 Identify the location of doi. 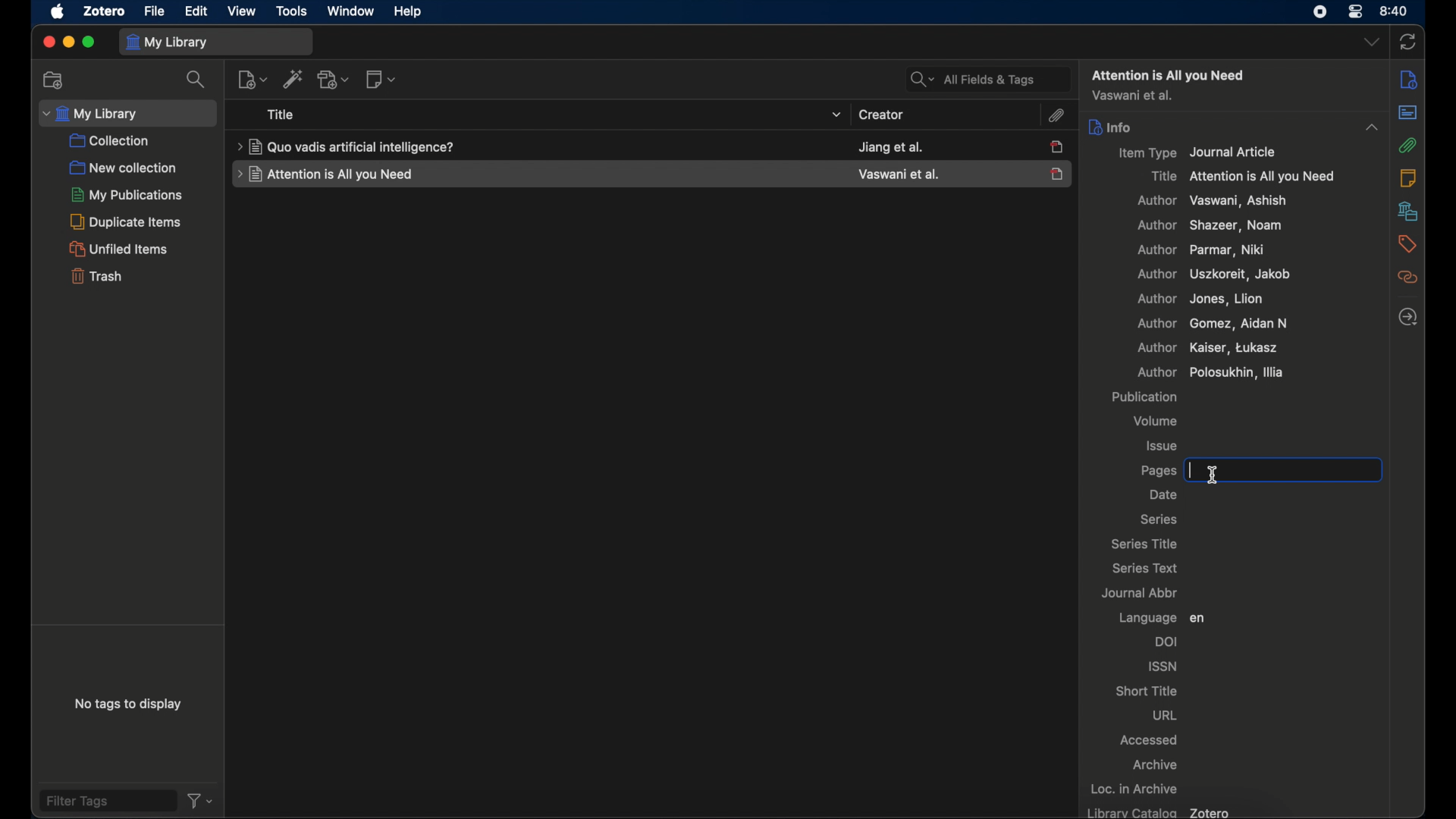
(1169, 642).